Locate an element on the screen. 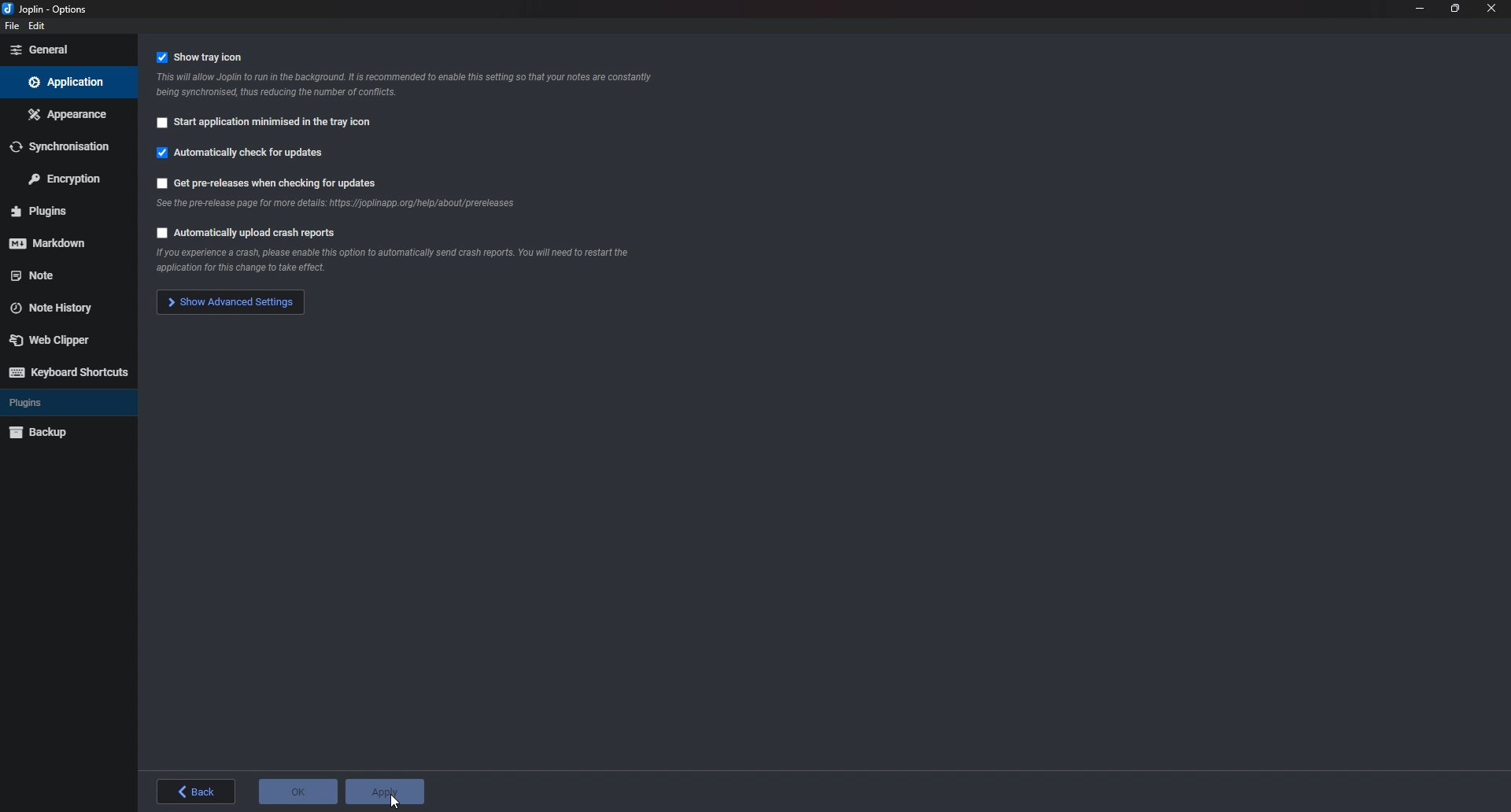  Get pre releases when checking for updates is located at coordinates (274, 183).